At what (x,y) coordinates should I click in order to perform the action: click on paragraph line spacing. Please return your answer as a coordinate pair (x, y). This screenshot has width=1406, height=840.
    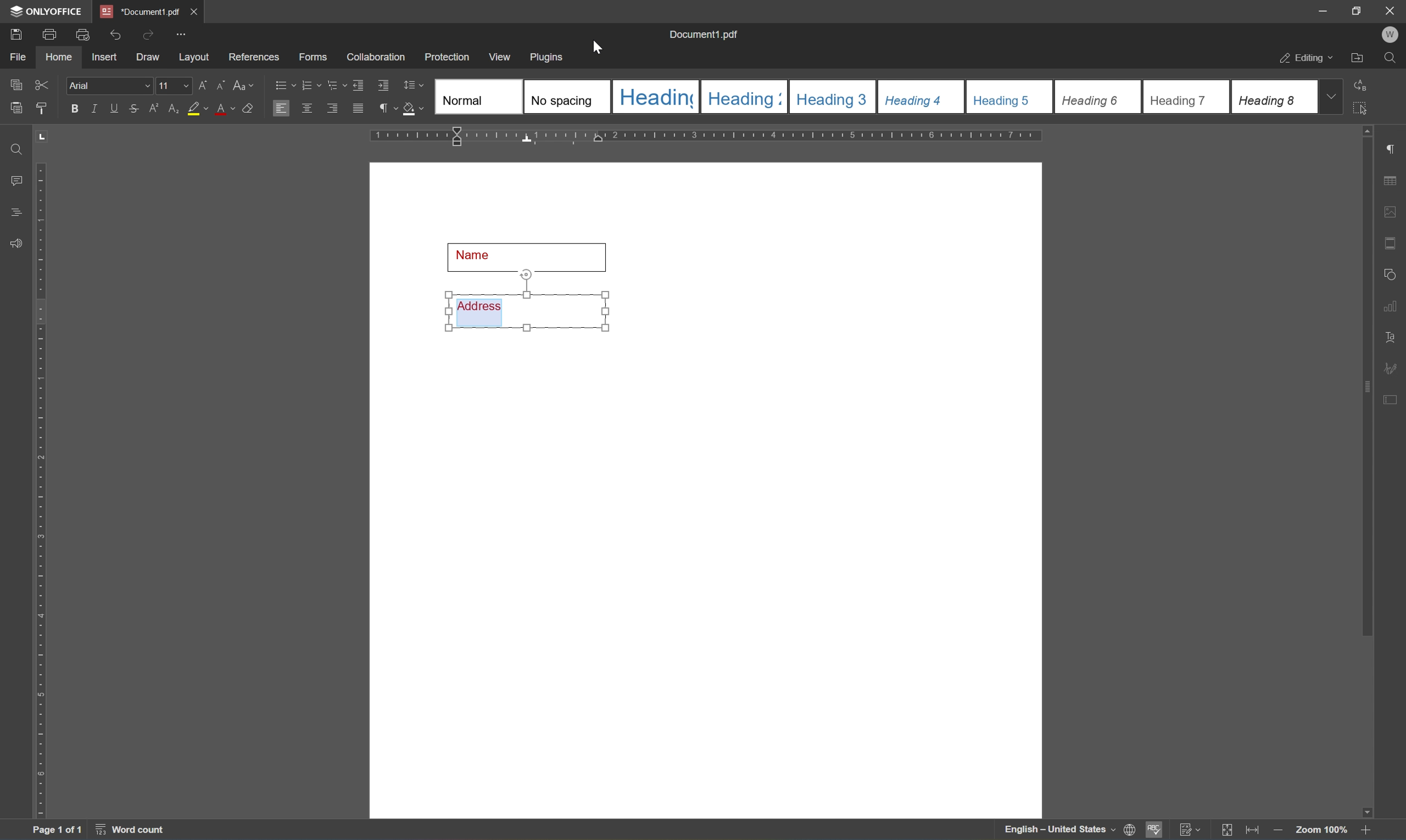
    Looking at the image, I should click on (416, 85).